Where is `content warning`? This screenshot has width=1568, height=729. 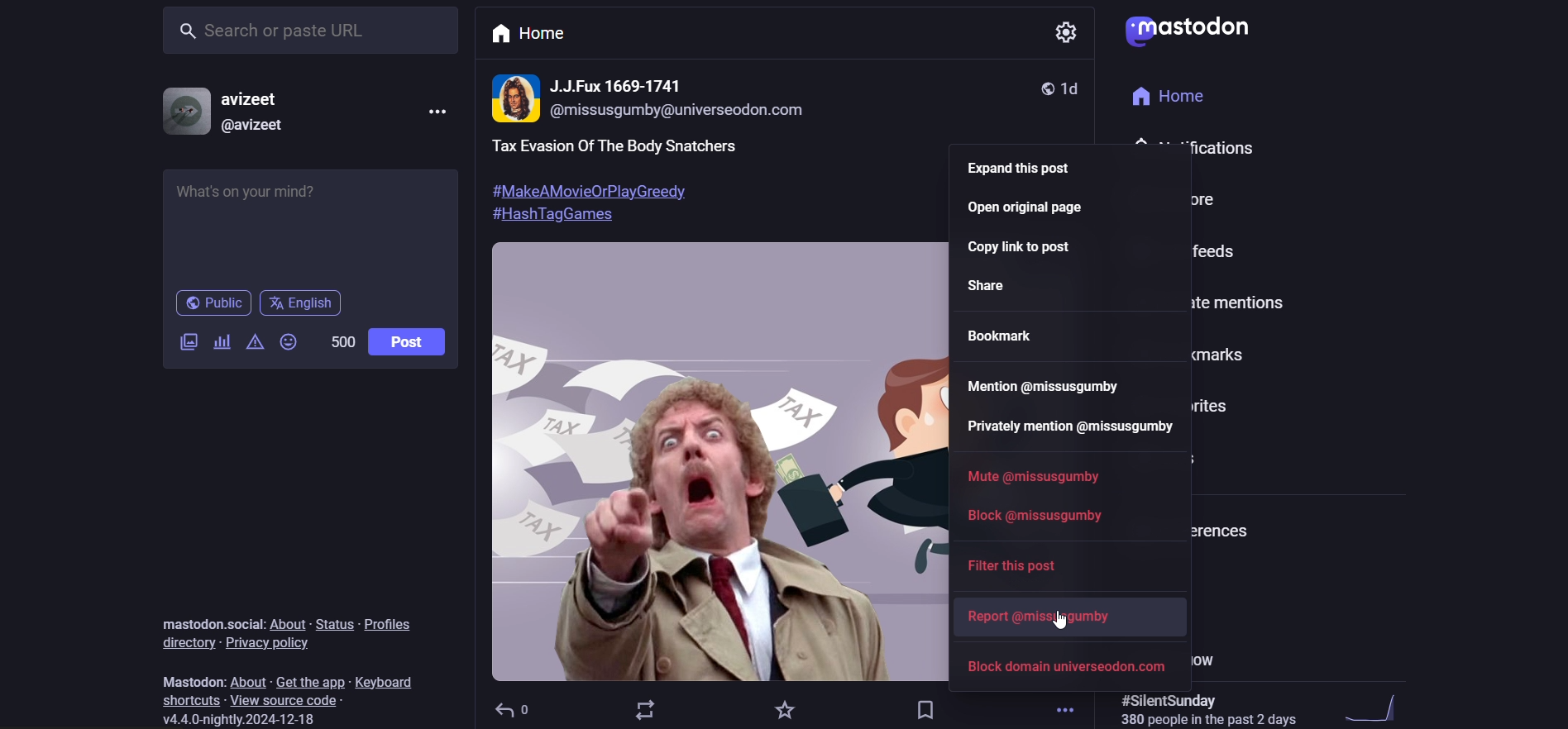
content warning is located at coordinates (254, 343).